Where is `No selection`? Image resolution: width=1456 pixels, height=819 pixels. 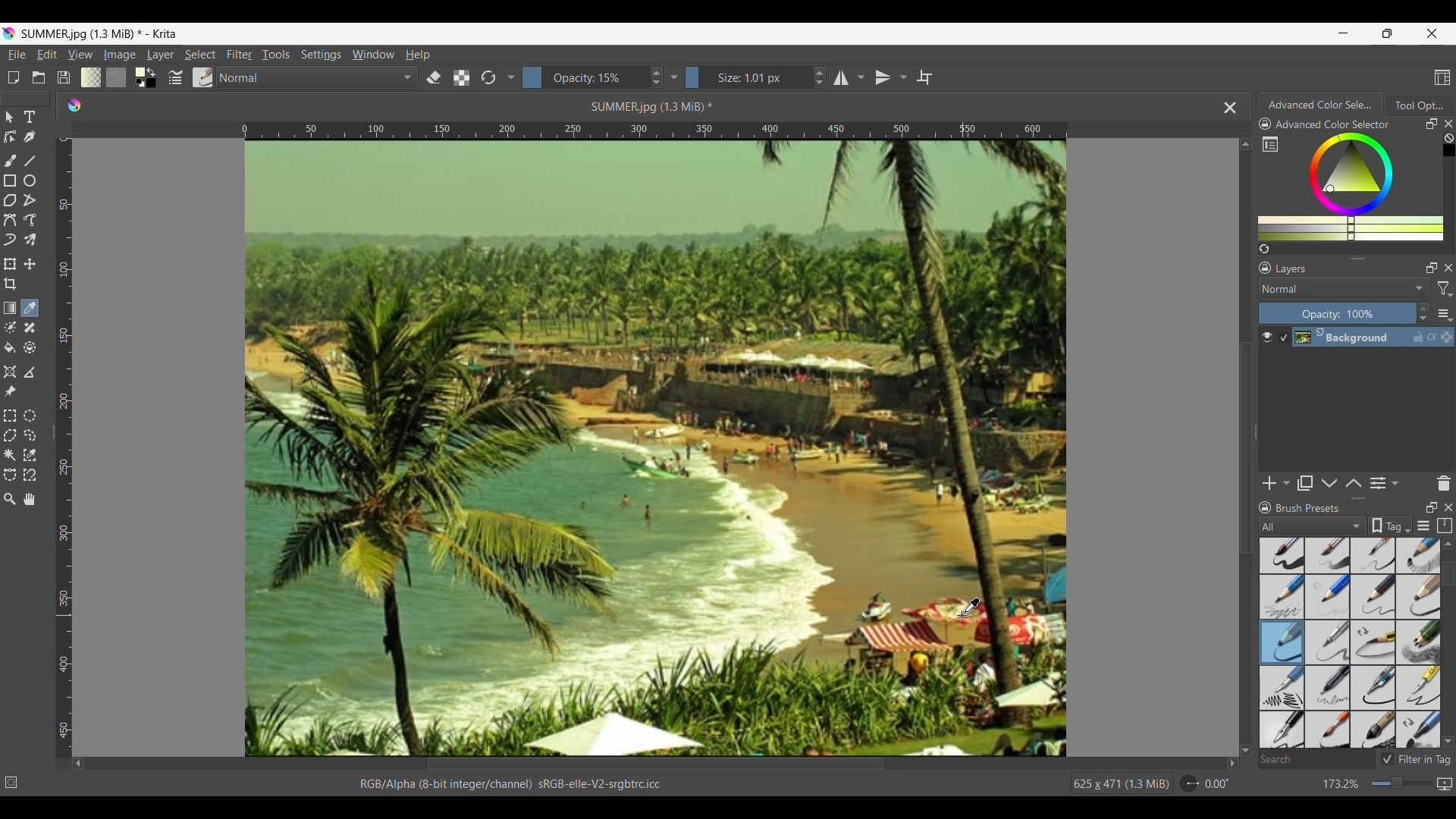
No selection is located at coordinates (11, 783).